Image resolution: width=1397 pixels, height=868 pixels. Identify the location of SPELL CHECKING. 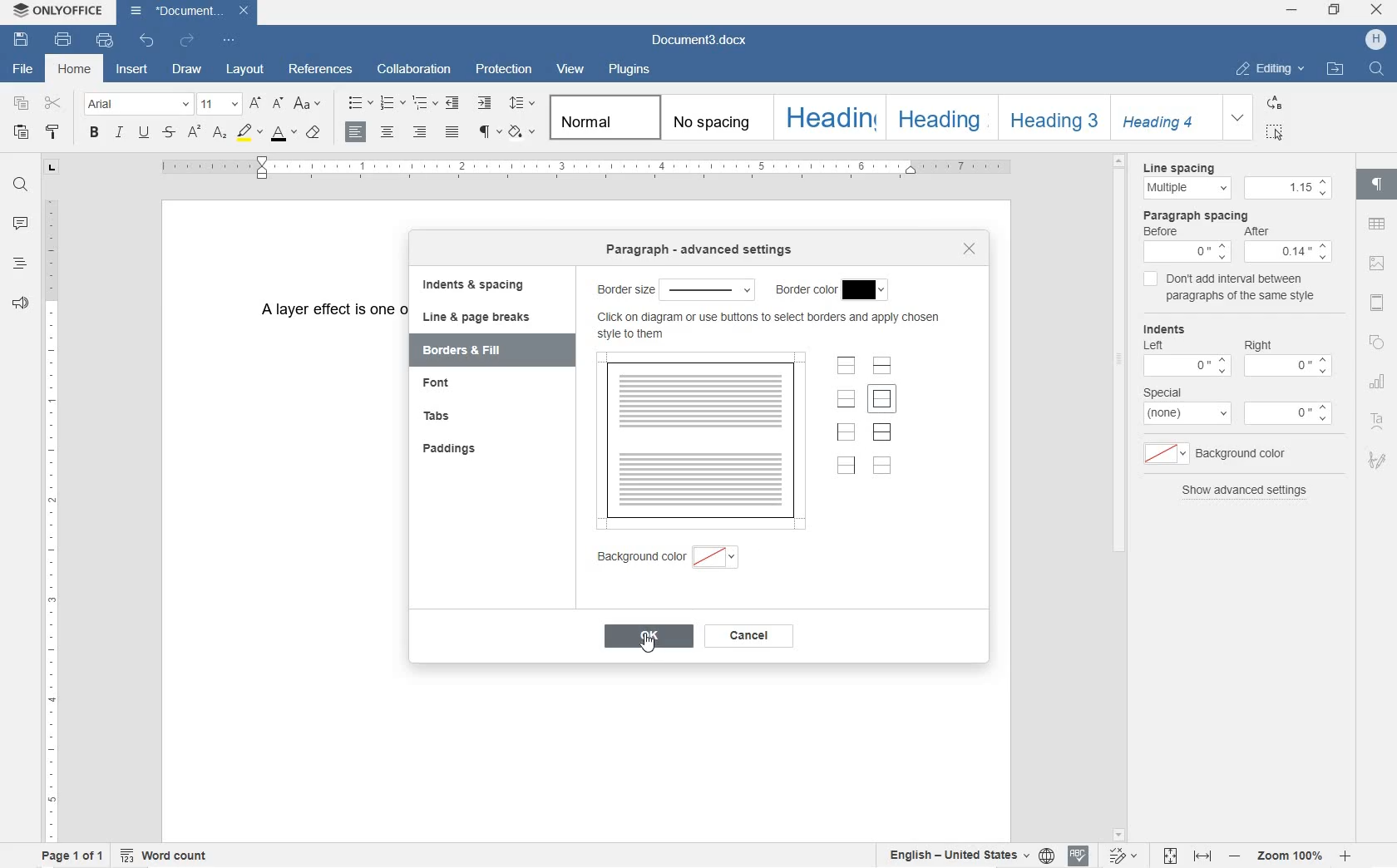
(1079, 856).